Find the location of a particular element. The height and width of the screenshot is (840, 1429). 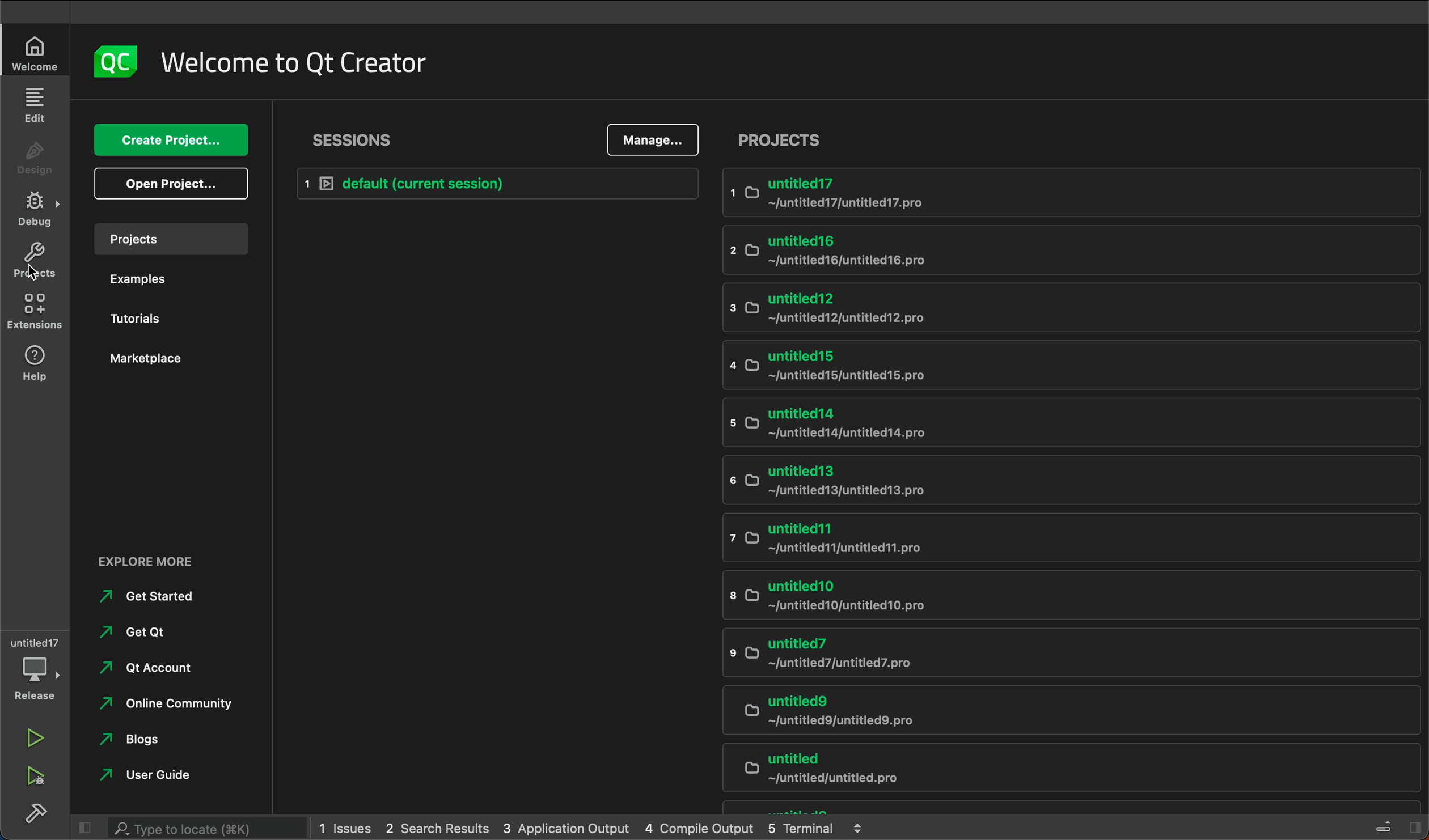

untitled12 is located at coordinates (991, 307).